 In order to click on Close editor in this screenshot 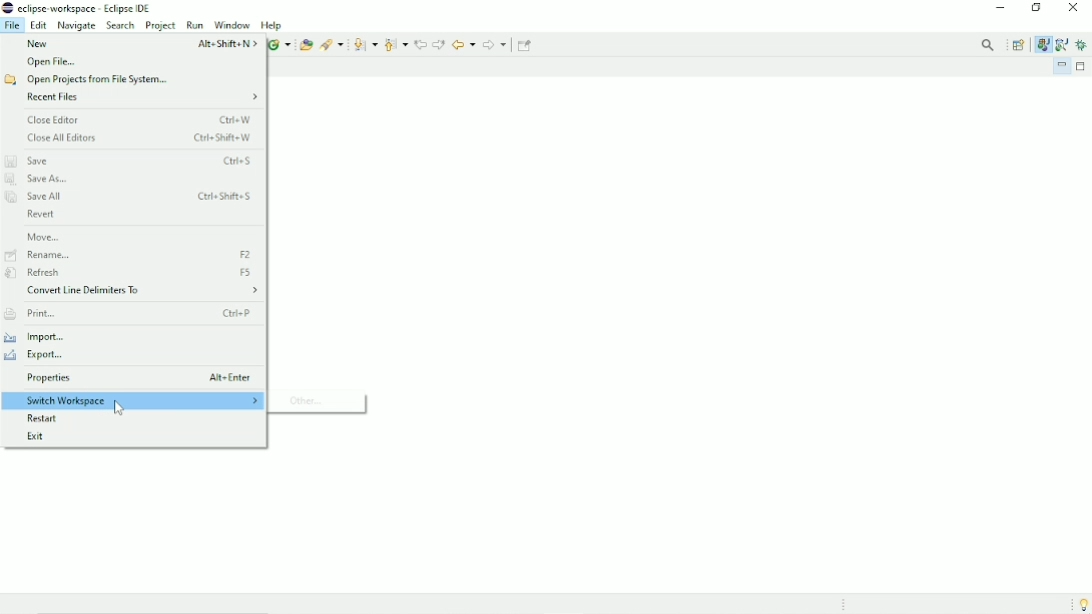, I will do `click(141, 119)`.